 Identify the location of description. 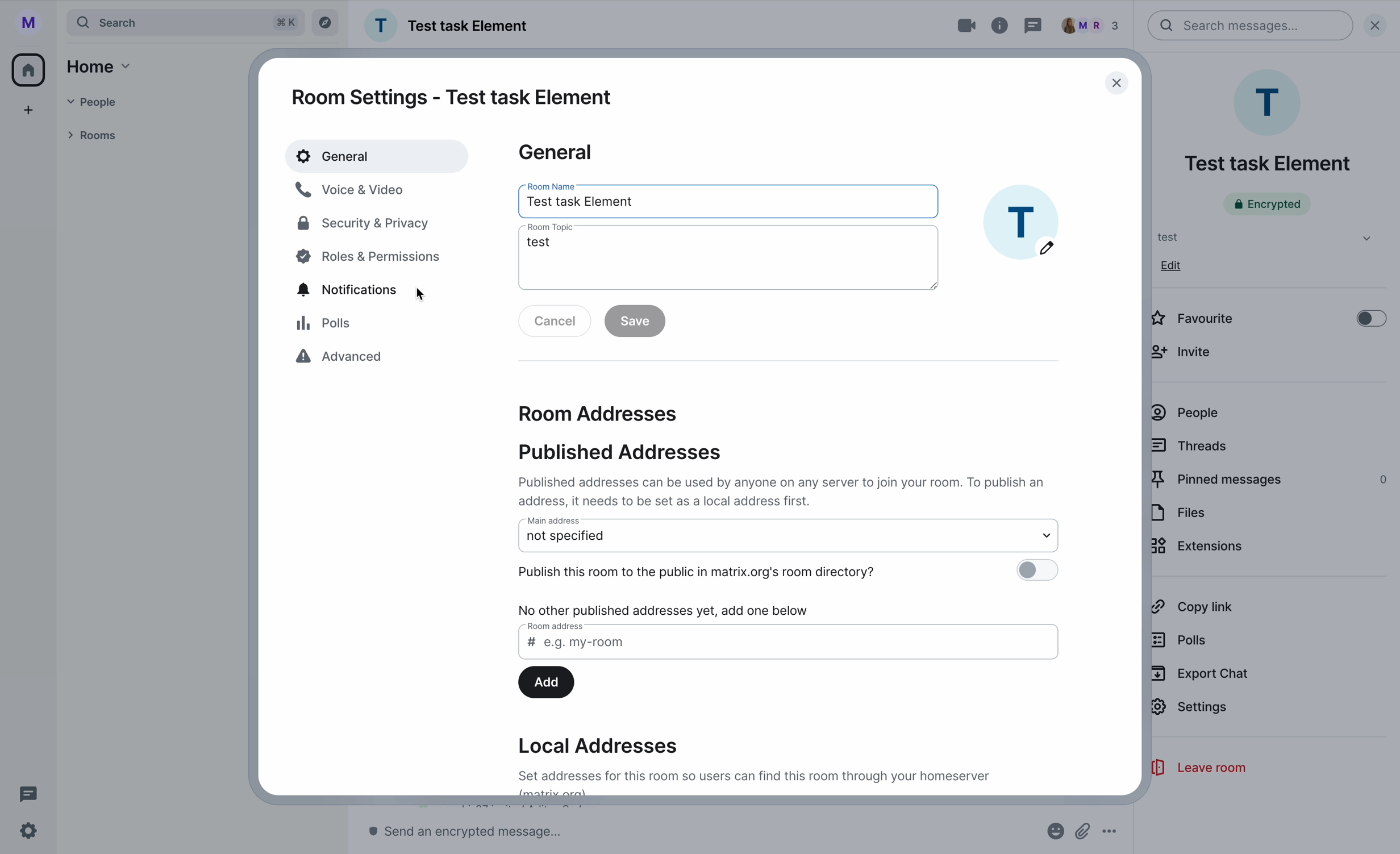
(781, 493).